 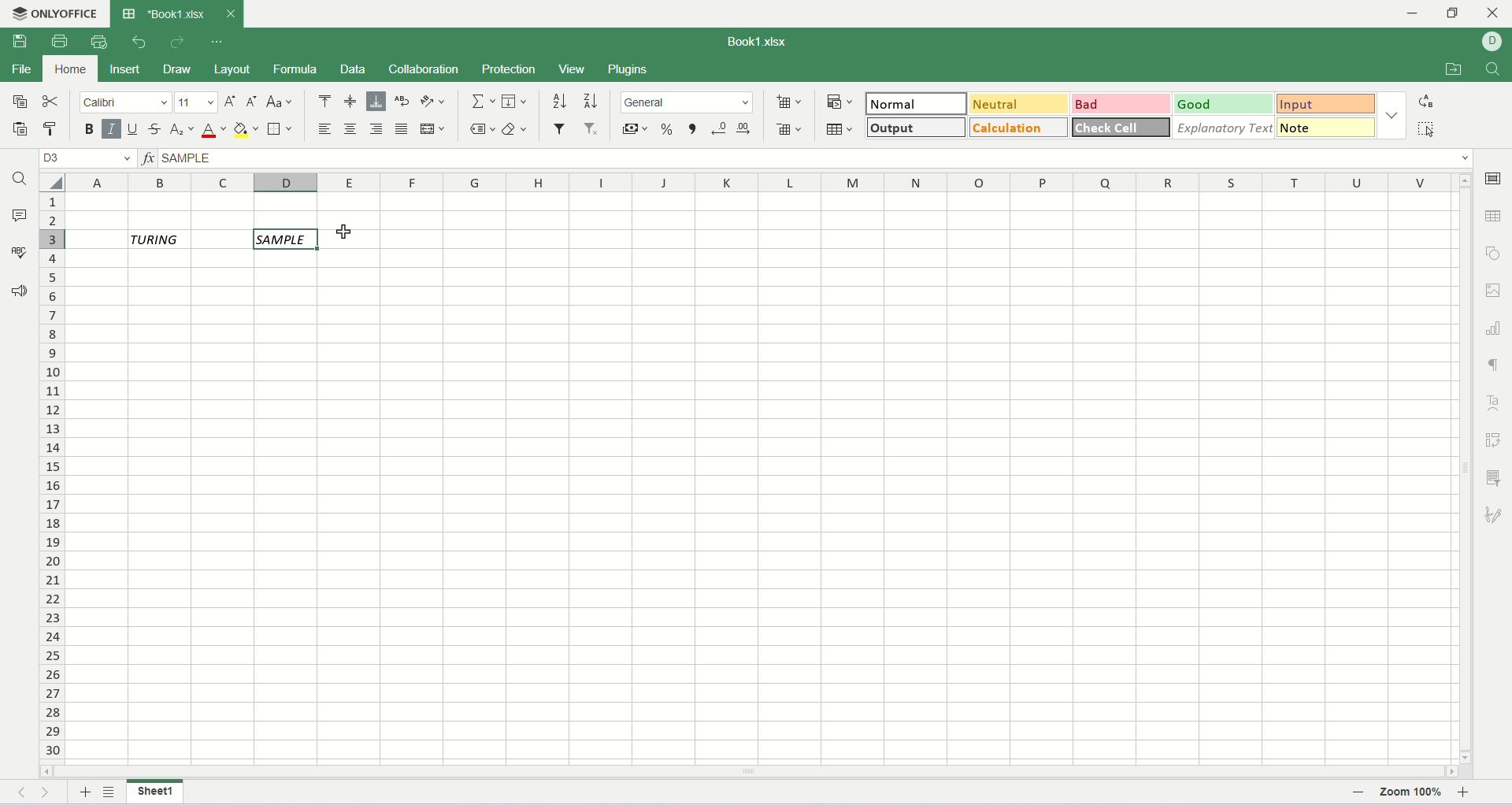 What do you see at coordinates (403, 102) in the screenshot?
I see `wrap text` at bounding box center [403, 102].